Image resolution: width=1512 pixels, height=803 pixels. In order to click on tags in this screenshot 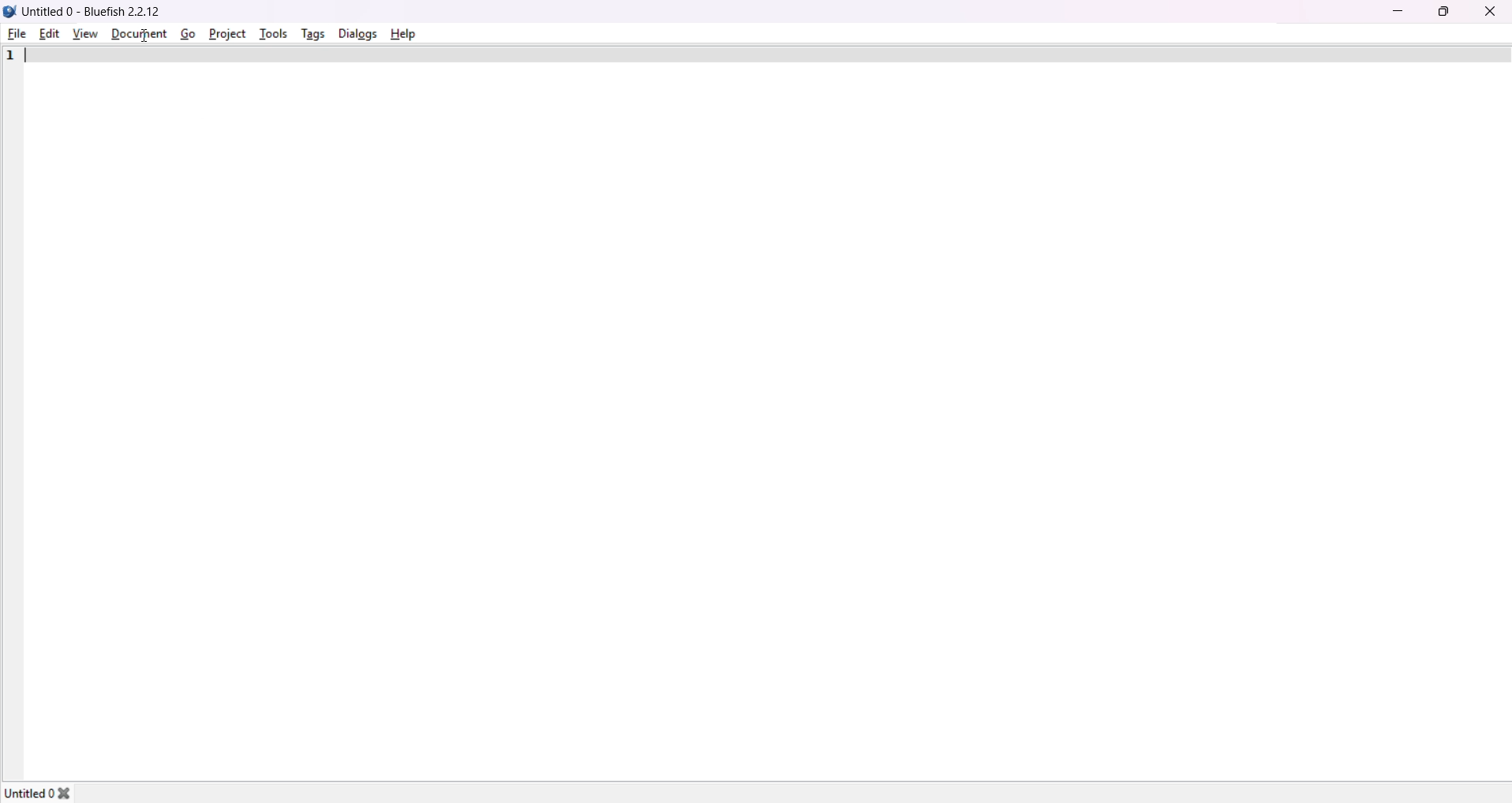, I will do `click(311, 34)`.